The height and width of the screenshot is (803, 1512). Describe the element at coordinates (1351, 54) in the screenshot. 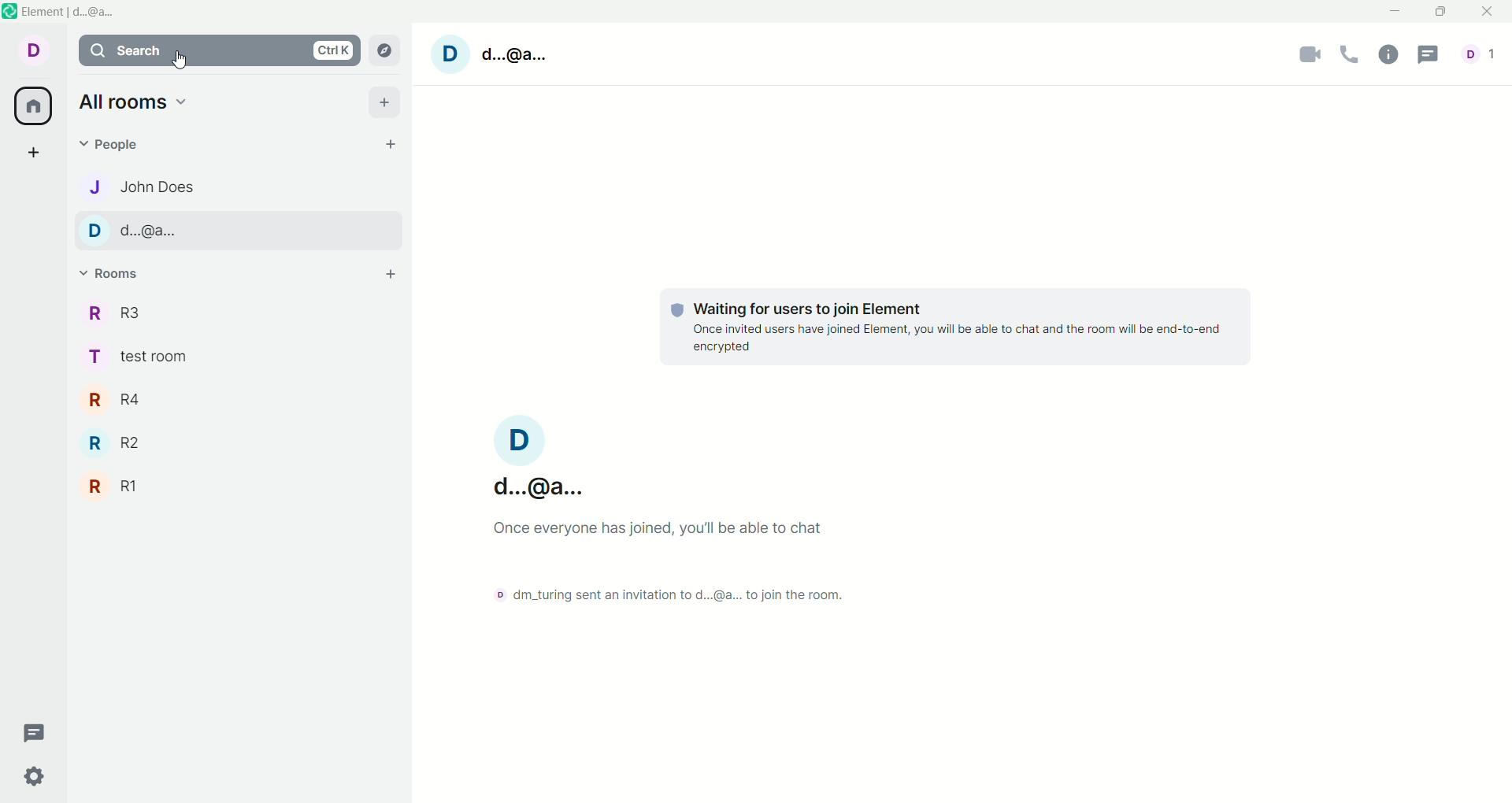

I see `voice call` at that location.